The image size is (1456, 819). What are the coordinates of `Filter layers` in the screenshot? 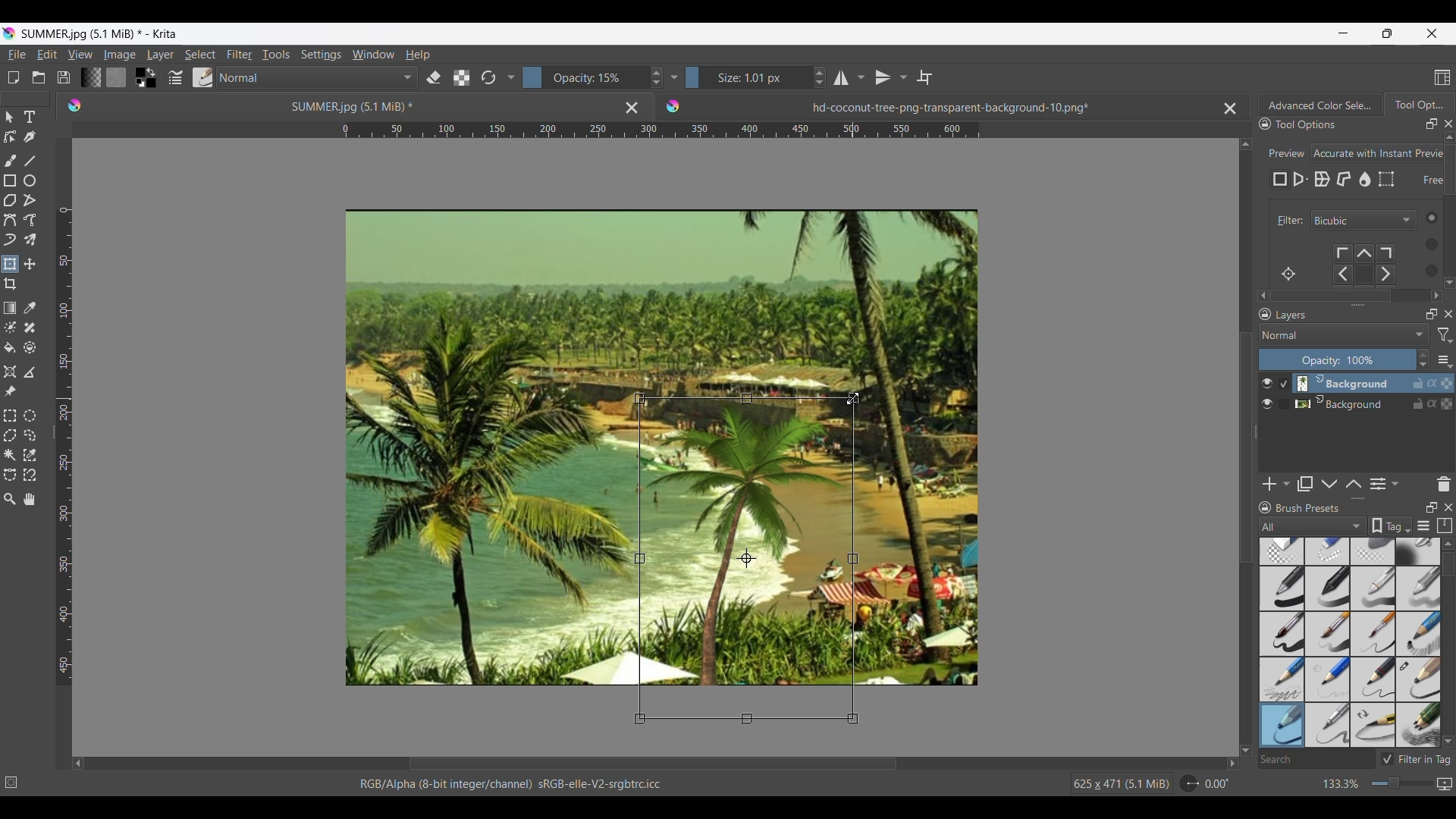 It's located at (1445, 335).